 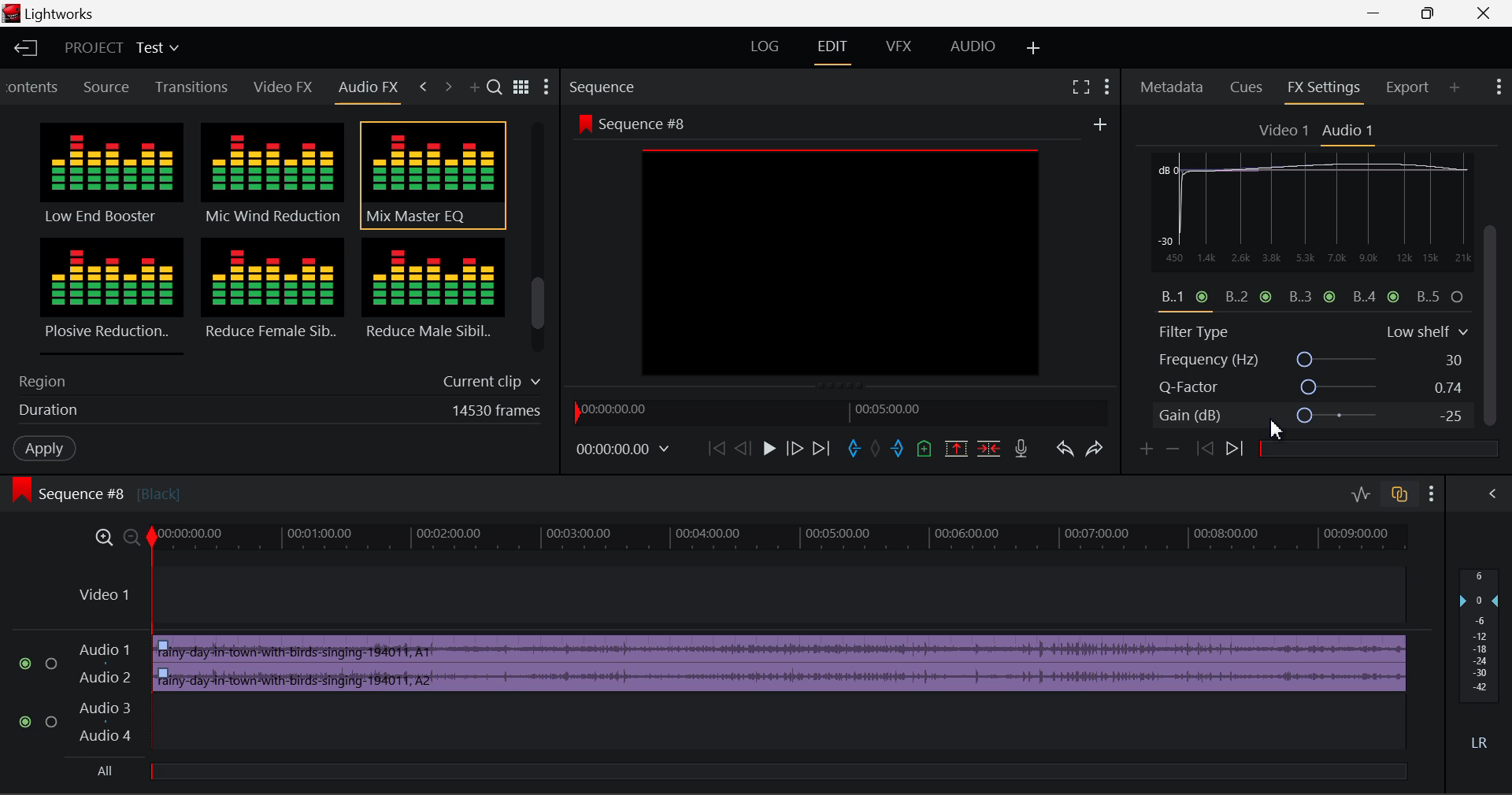 What do you see at coordinates (825, 450) in the screenshot?
I see `To End` at bounding box center [825, 450].